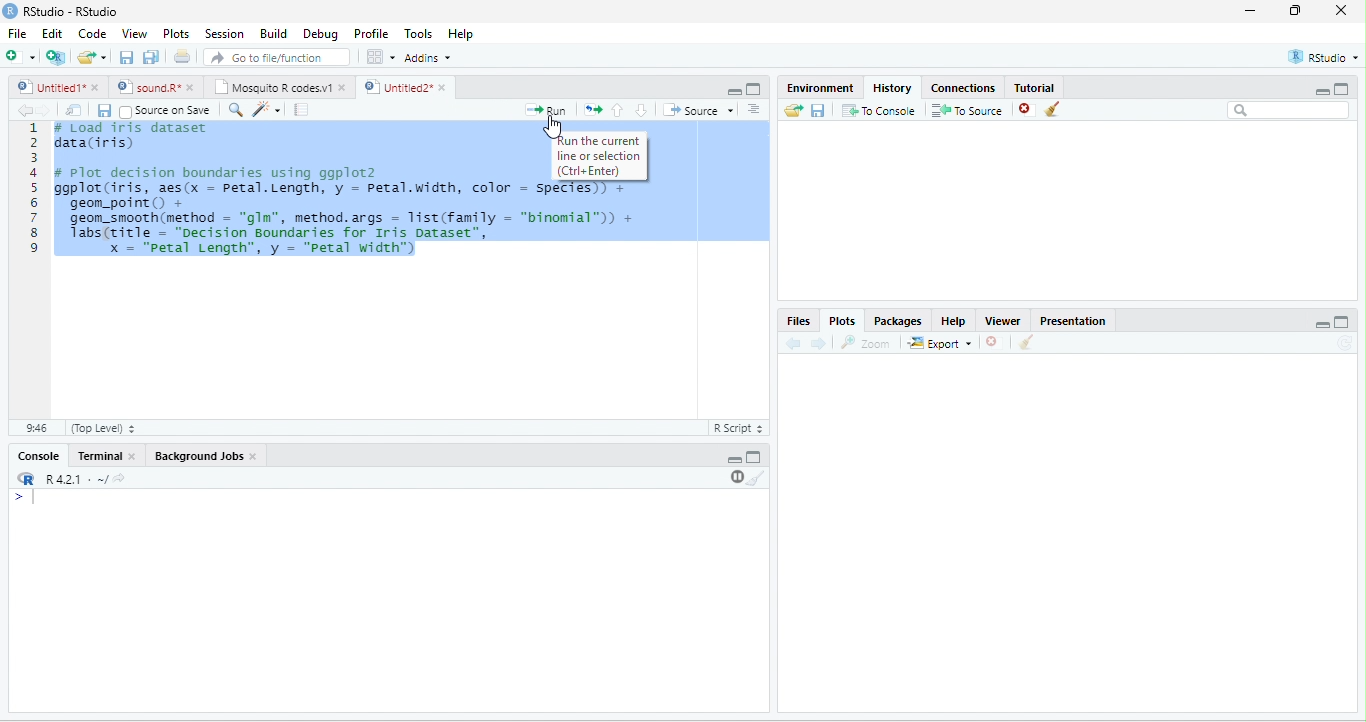 The image size is (1366, 722). What do you see at coordinates (1321, 92) in the screenshot?
I see `minimize` at bounding box center [1321, 92].